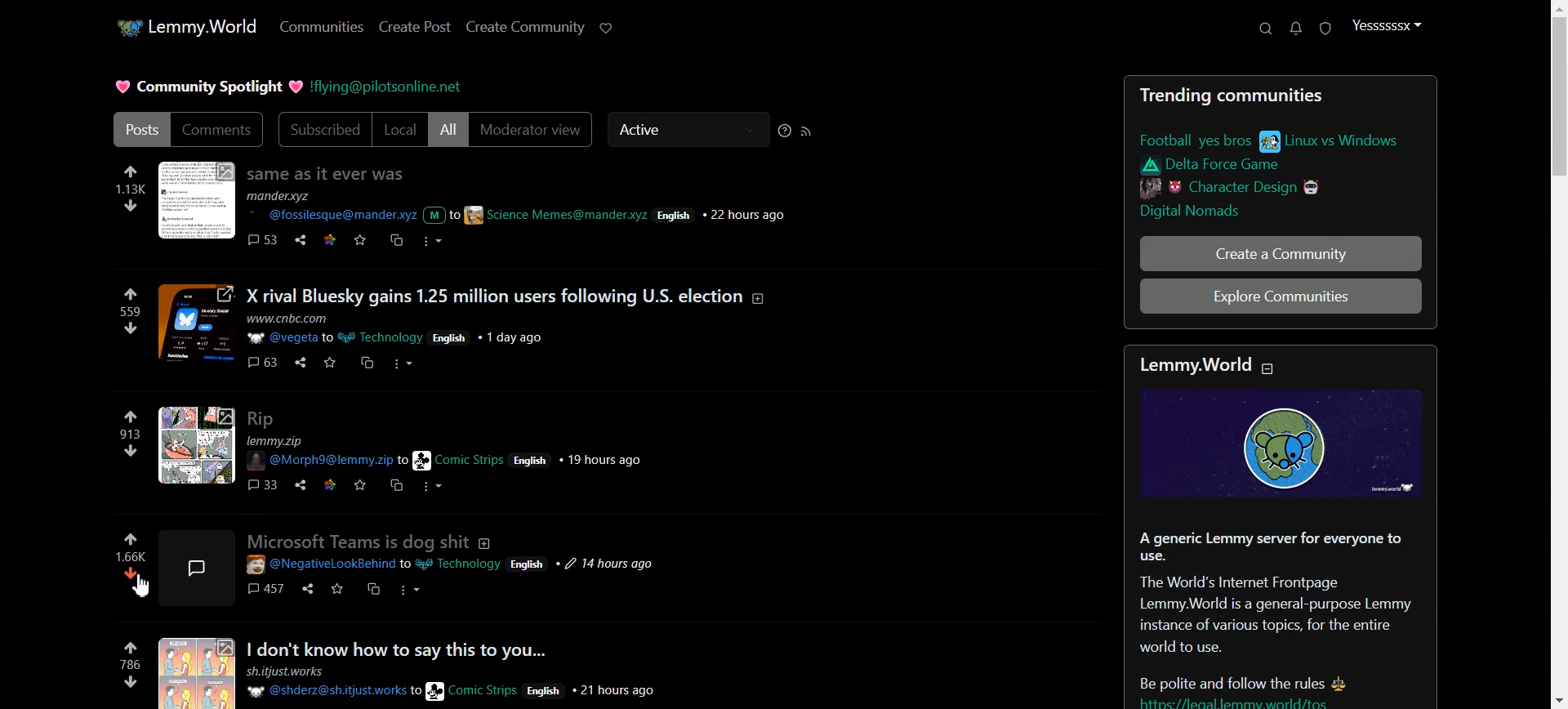 The image size is (1568, 709). Describe the element at coordinates (360, 486) in the screenshot. I see `save` at that location.